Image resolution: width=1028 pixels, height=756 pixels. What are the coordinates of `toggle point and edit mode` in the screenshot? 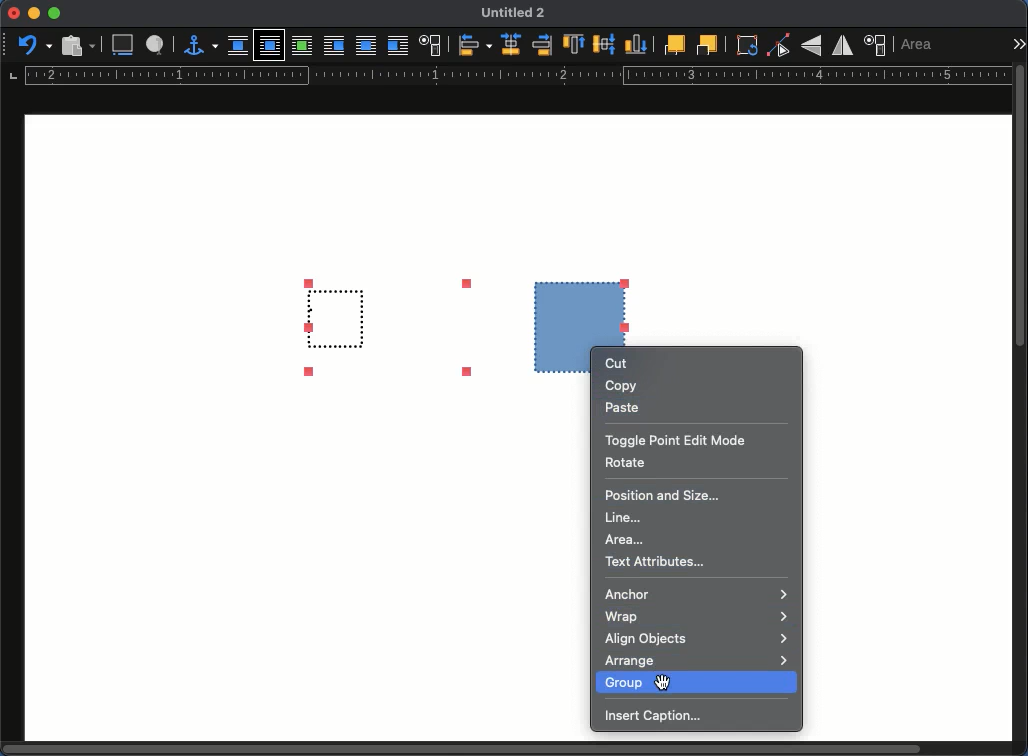 It's located at (676, 441).